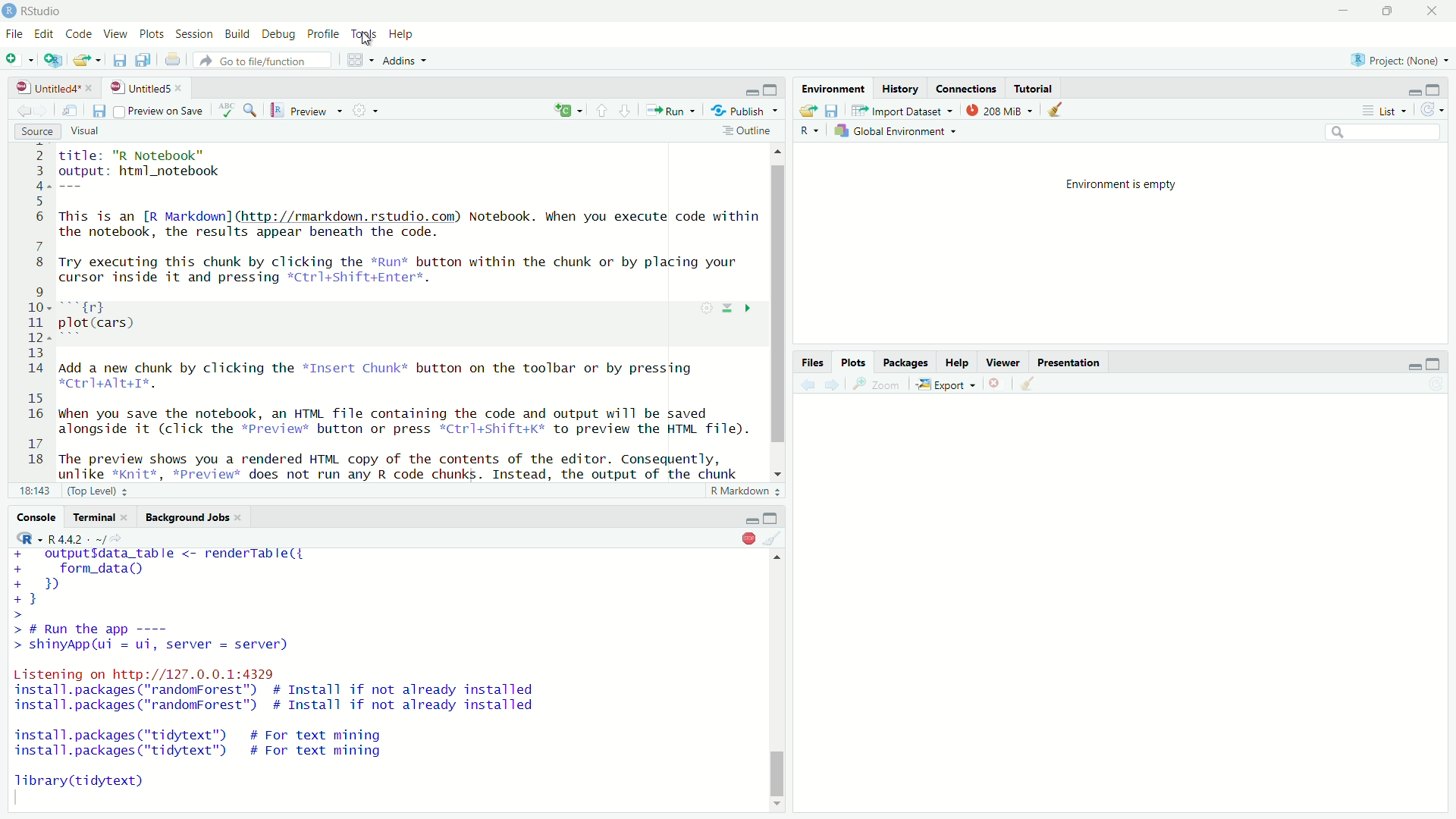 Image resolution: width=1456 pixels, height=819 pixels. Describe the element at coordinates (831, 385) in the screenshot. I see `move forward` at that location.